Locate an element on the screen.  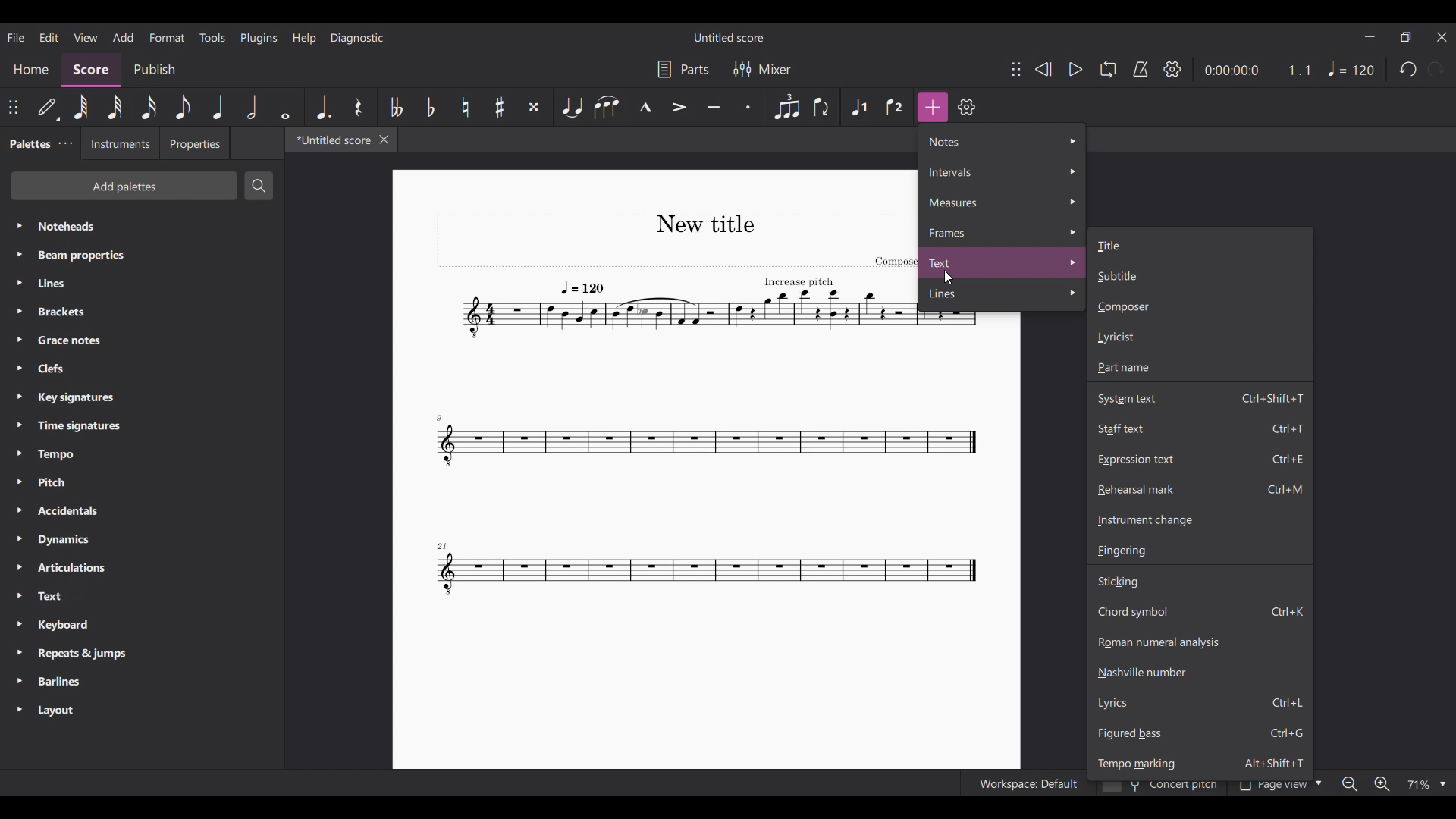
Barlines is located at coordinates (142, 682).